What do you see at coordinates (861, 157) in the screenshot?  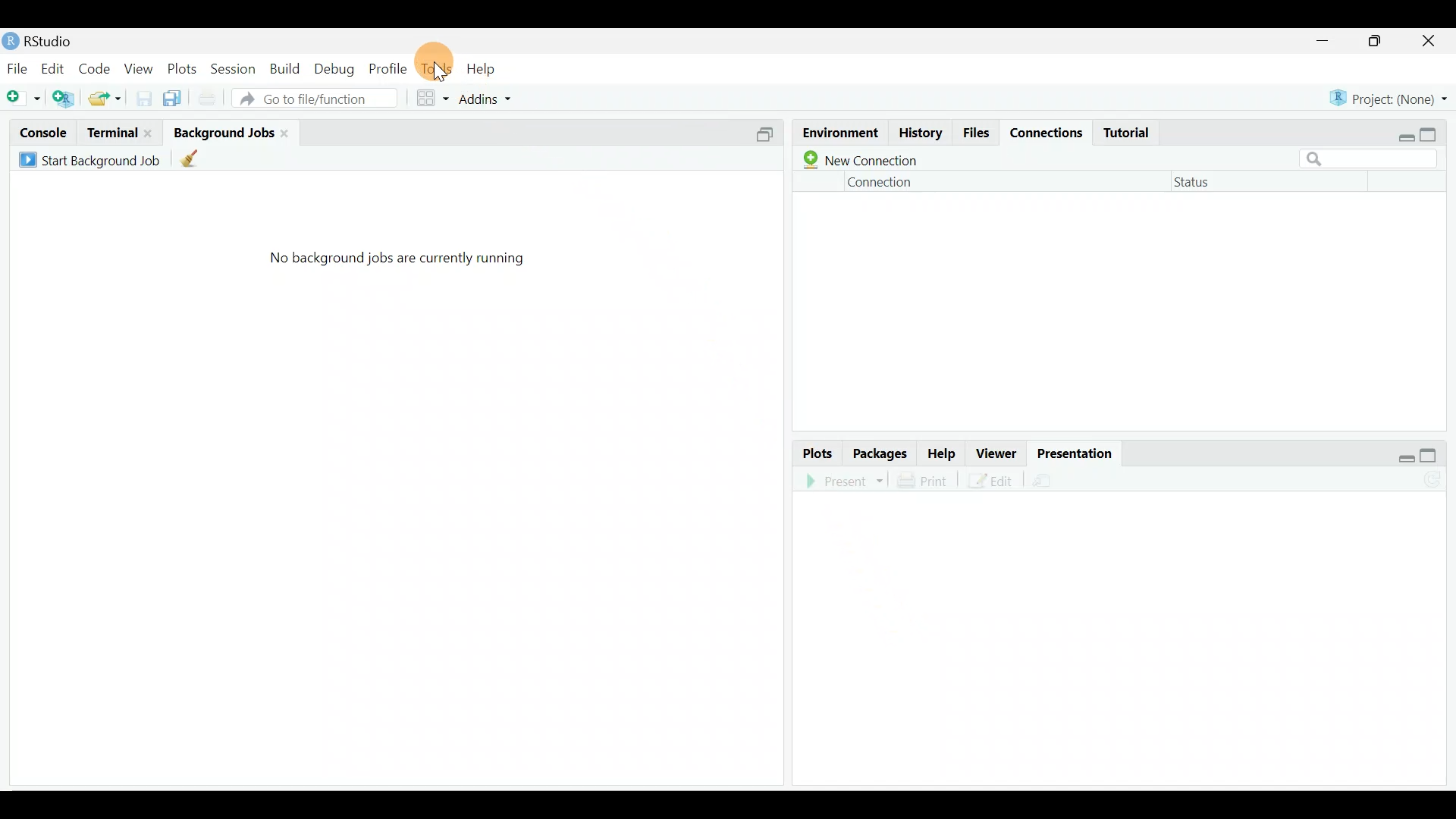 I see `New connection` at bounding box center [861, 157].